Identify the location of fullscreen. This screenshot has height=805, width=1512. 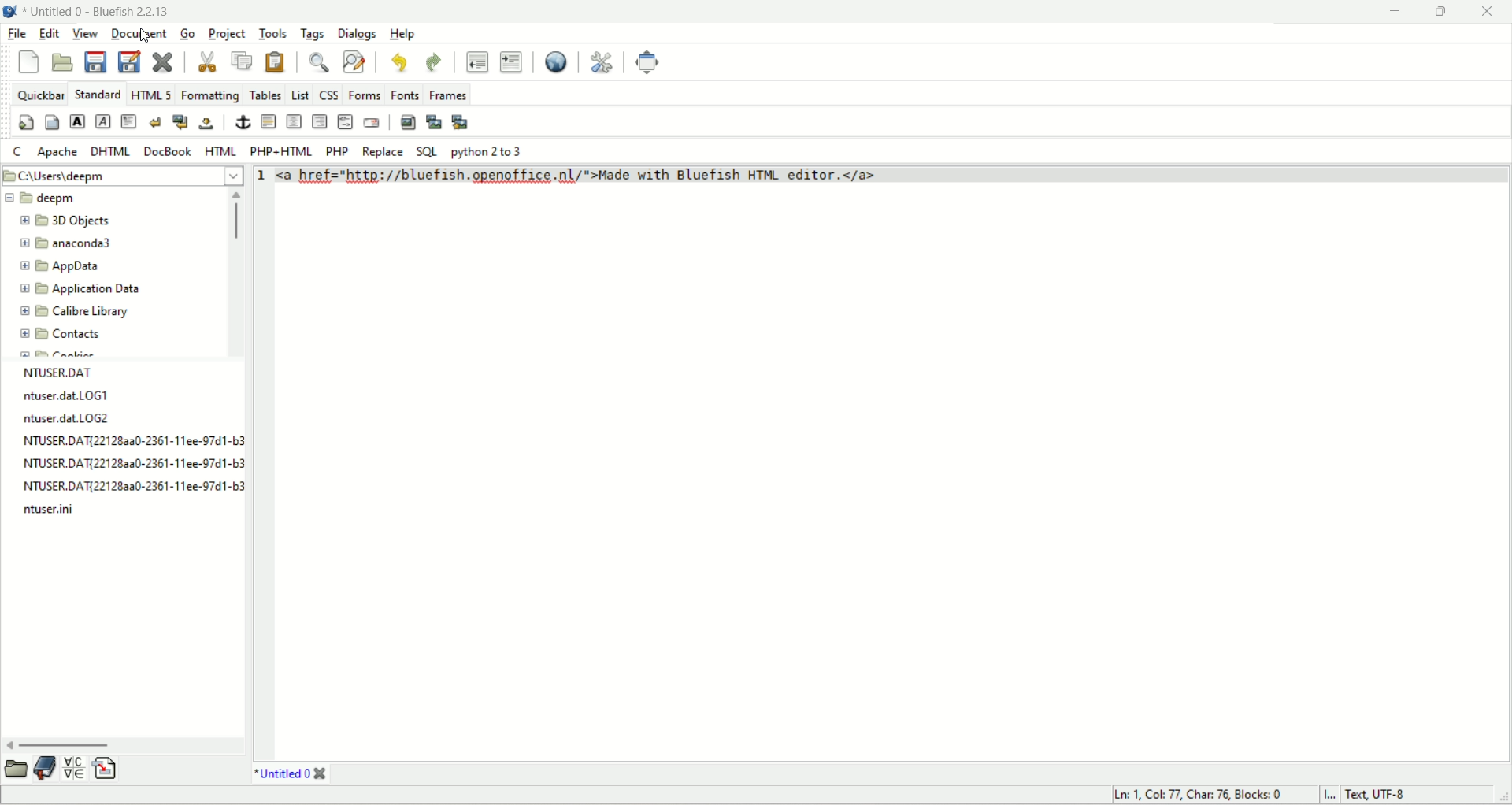
(647, 63).